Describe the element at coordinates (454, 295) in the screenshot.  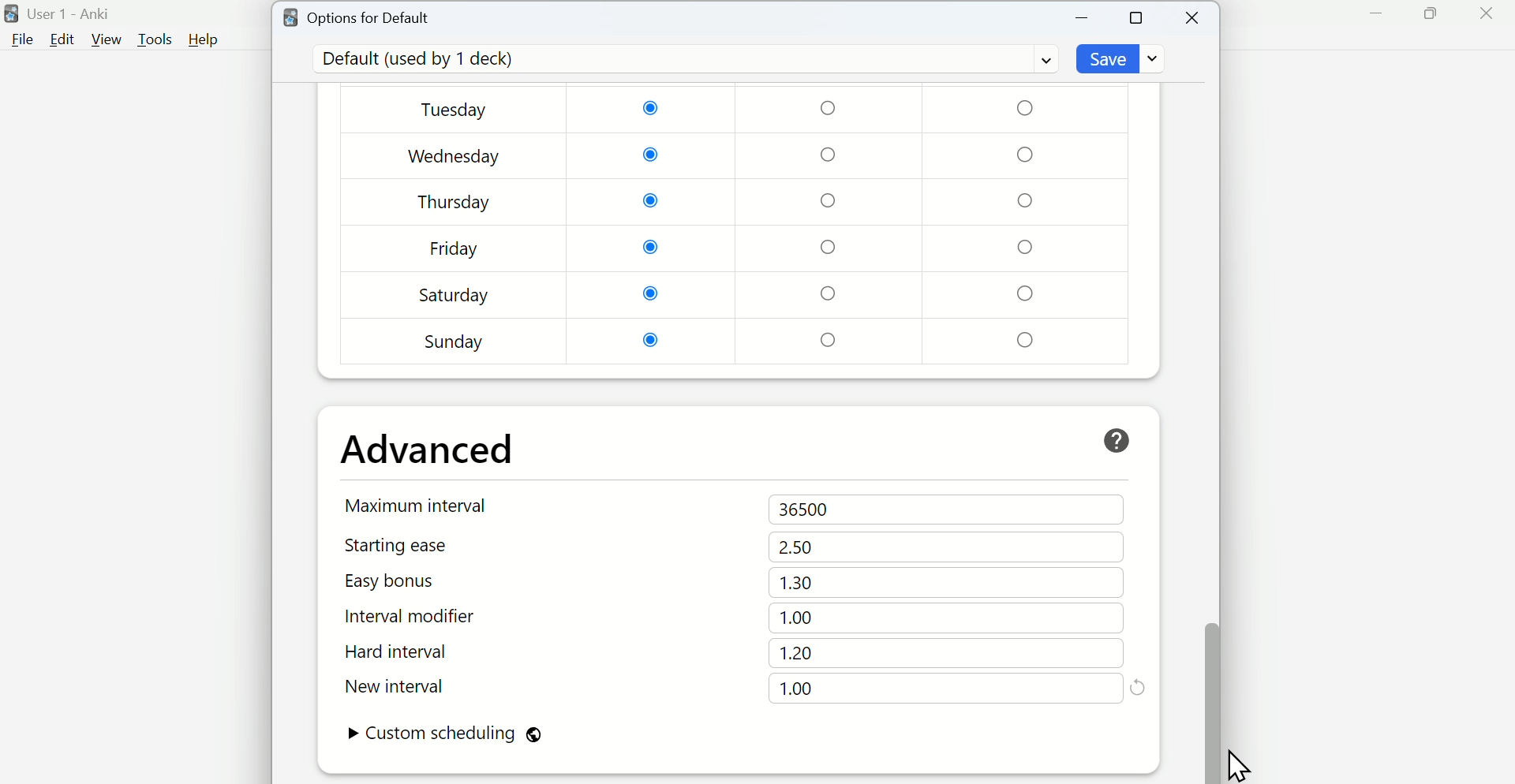
I see `Saturday` at that location.